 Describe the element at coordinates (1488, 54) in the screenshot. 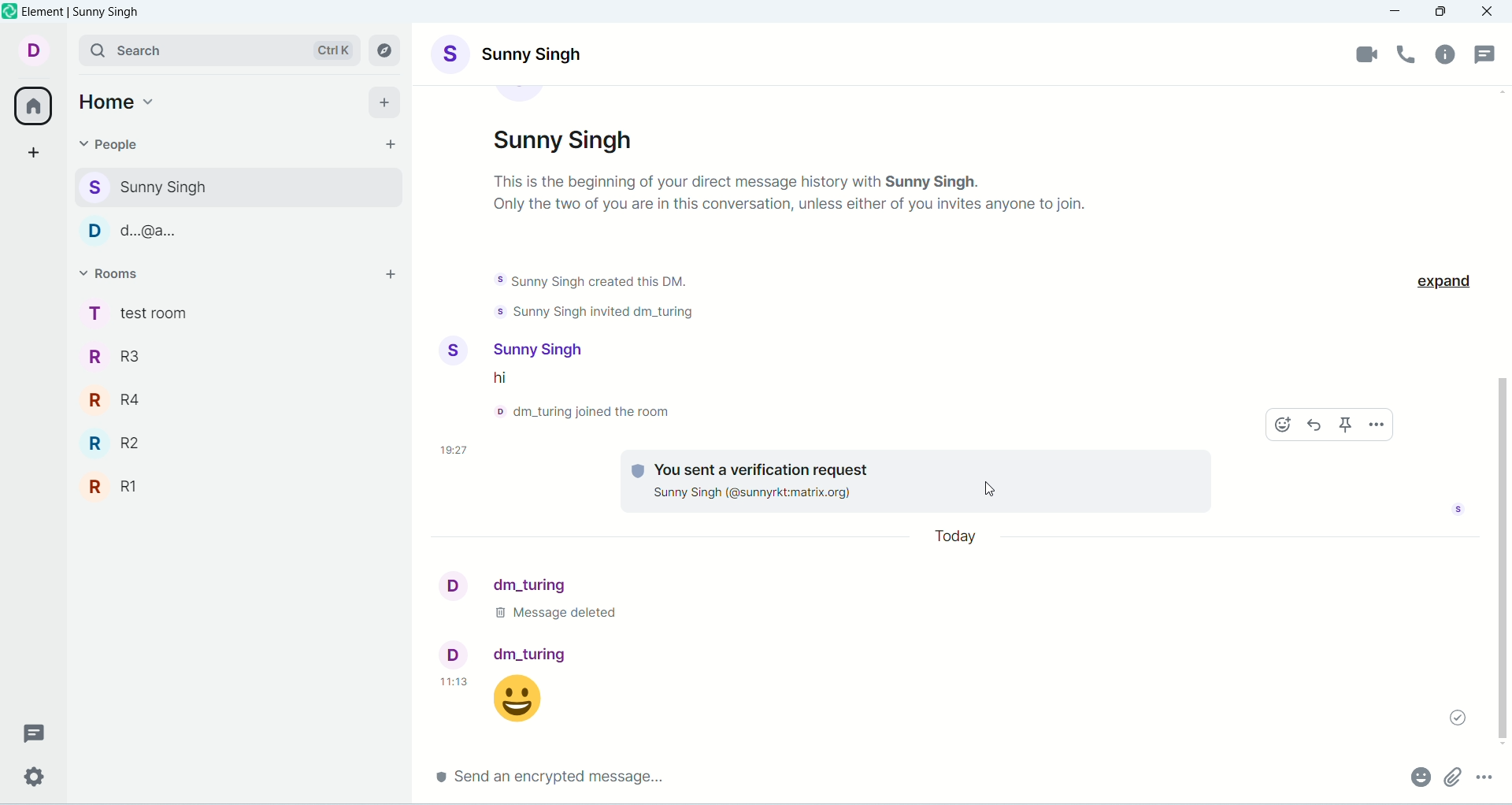

I see `threads` at that location.